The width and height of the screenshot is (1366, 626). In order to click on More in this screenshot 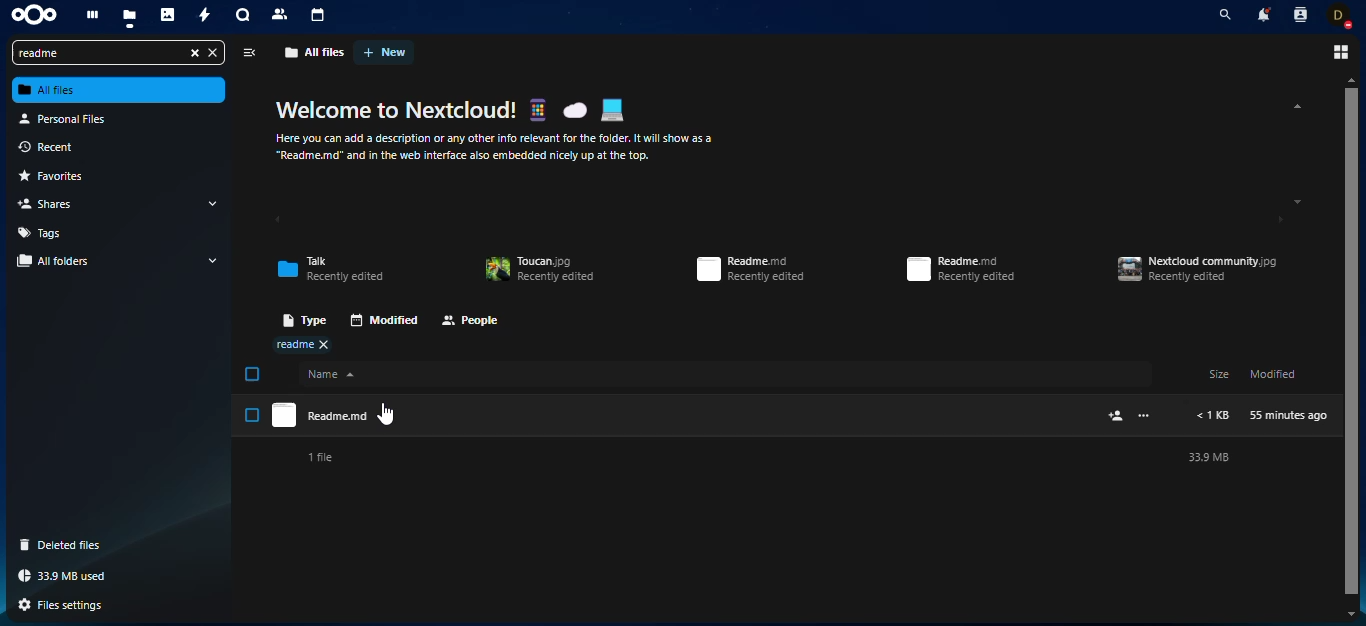, I will do `click(1144, 415)`.